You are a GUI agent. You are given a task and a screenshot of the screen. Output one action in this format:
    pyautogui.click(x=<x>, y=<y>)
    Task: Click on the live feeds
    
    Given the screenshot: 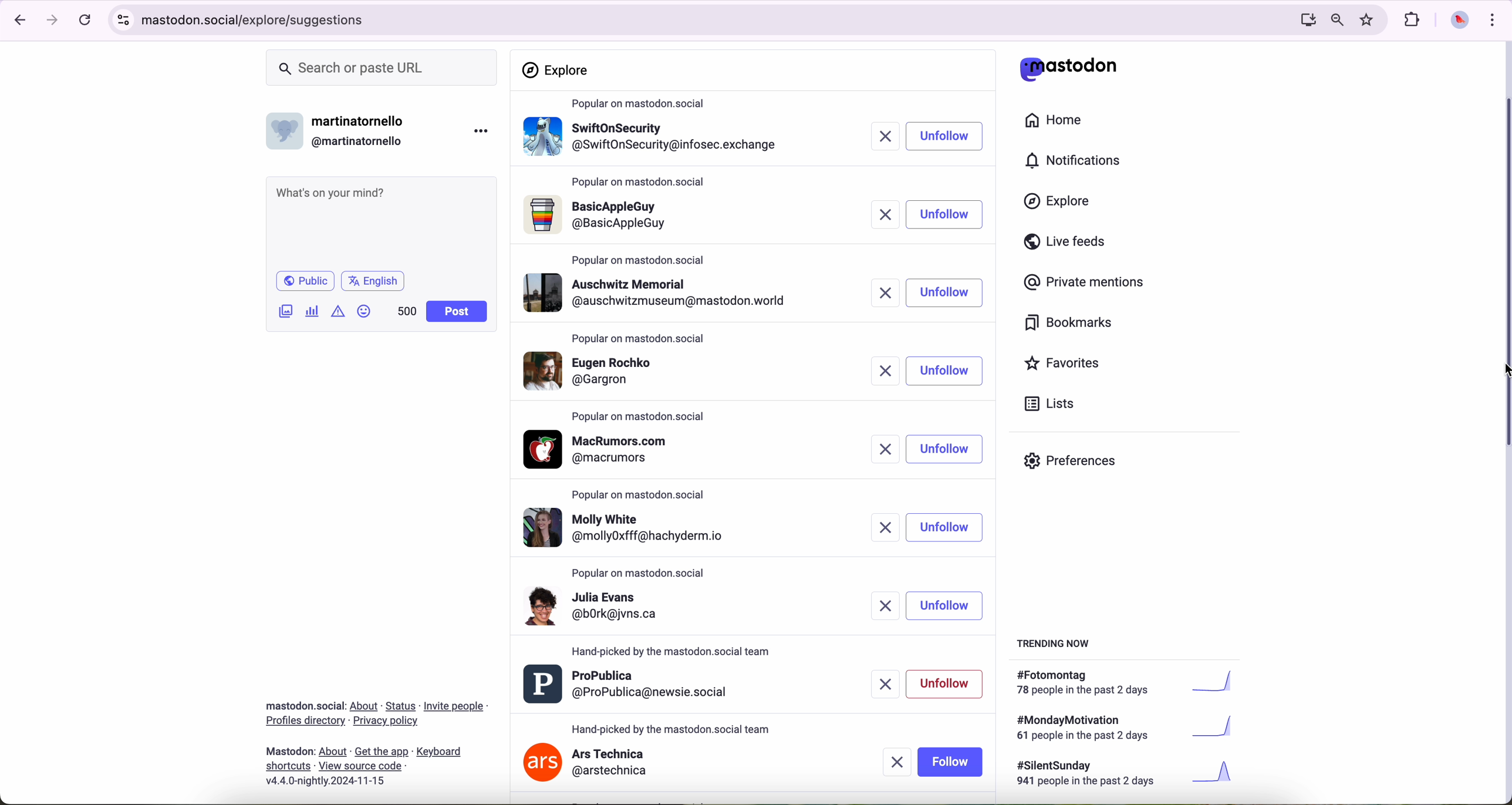 What is the action you would take?
    pyautogui.click(x=1069, y=244)
    